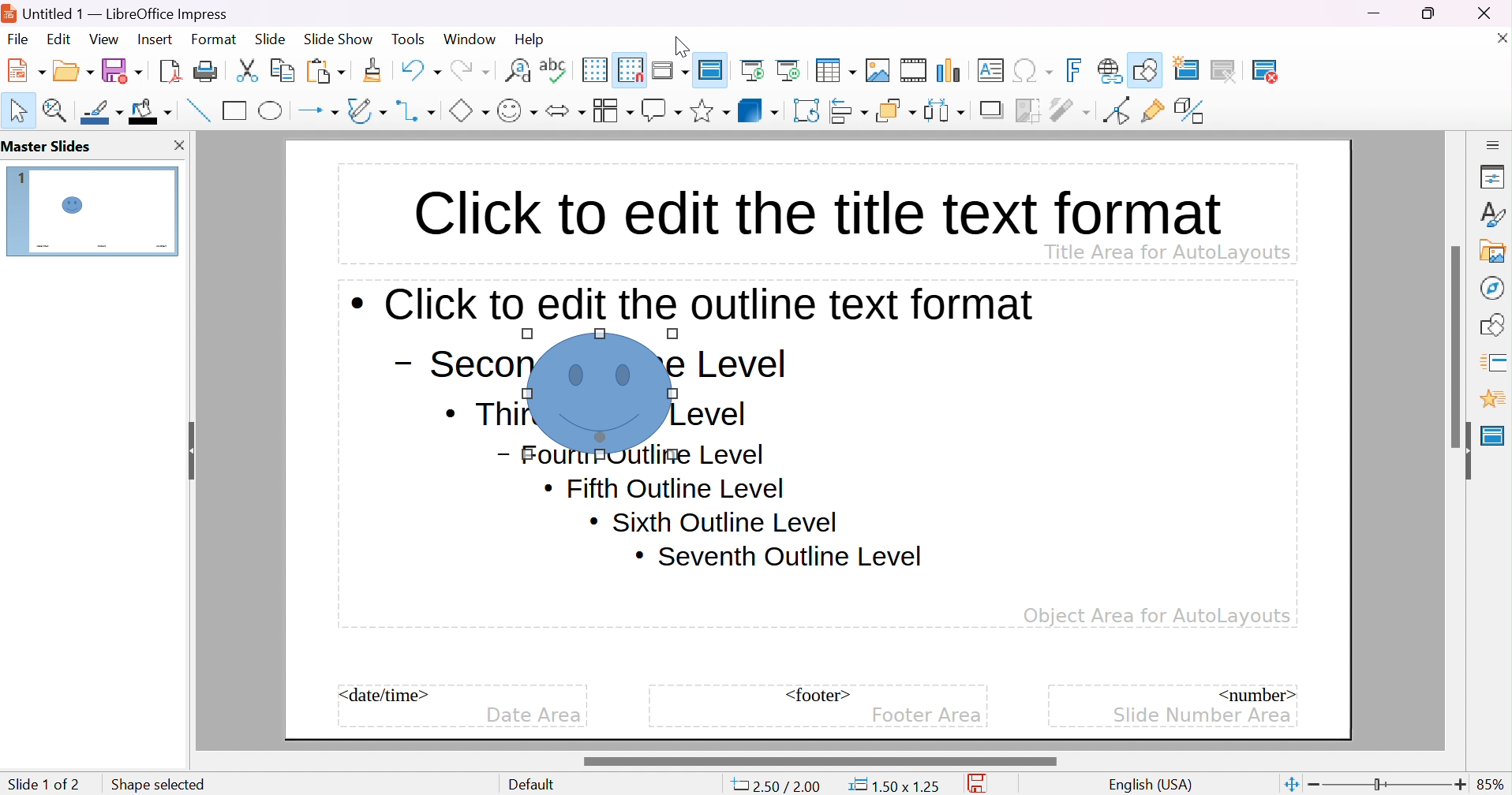 This screenshot has width=1512, height=795. Describe the element at coordinates (1376, 13) in the screenshot. I see `minimize` at that location.